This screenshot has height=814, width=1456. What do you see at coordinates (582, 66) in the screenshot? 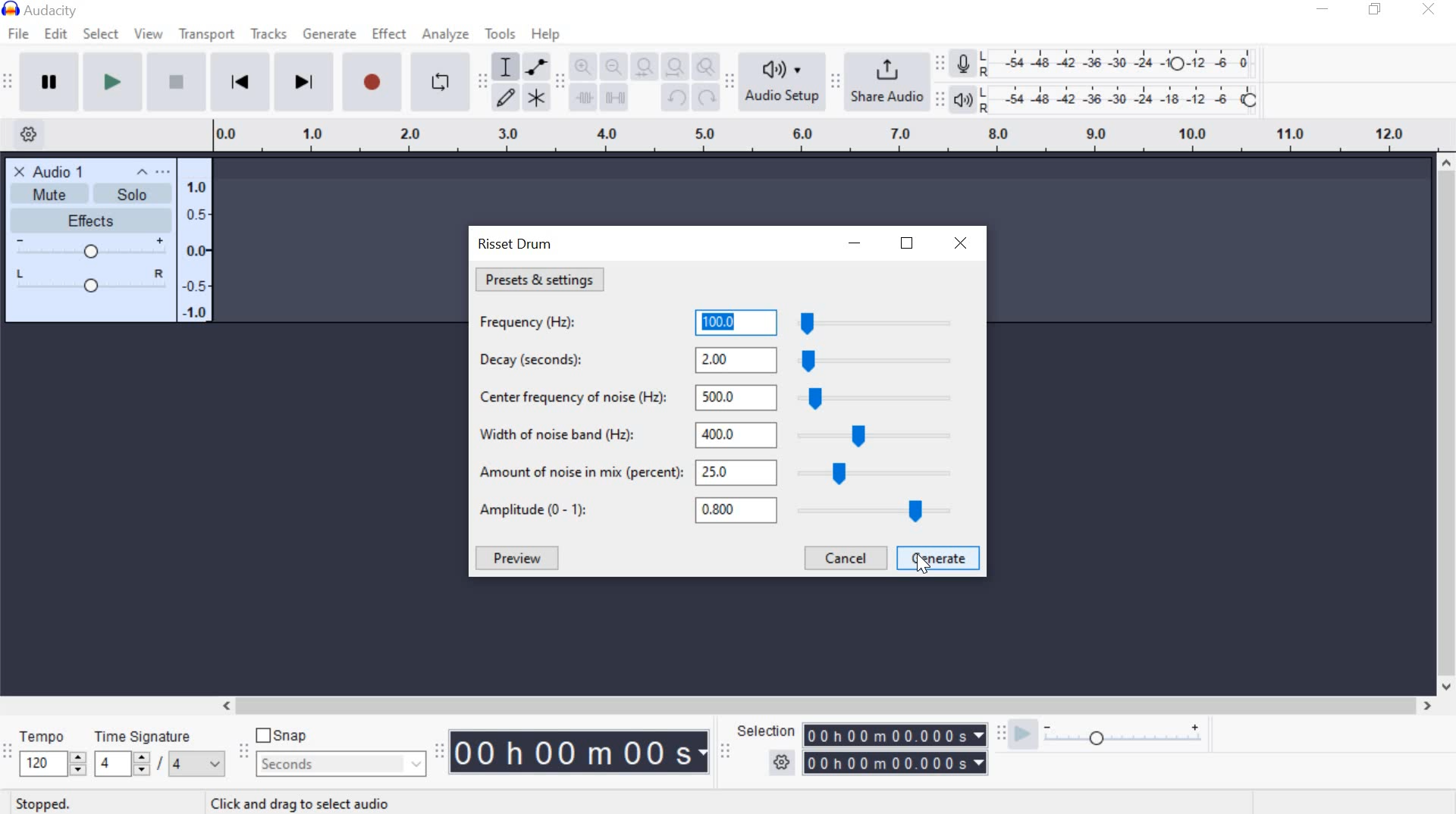
I see `Zoom In` at bounding box center [582, 66].